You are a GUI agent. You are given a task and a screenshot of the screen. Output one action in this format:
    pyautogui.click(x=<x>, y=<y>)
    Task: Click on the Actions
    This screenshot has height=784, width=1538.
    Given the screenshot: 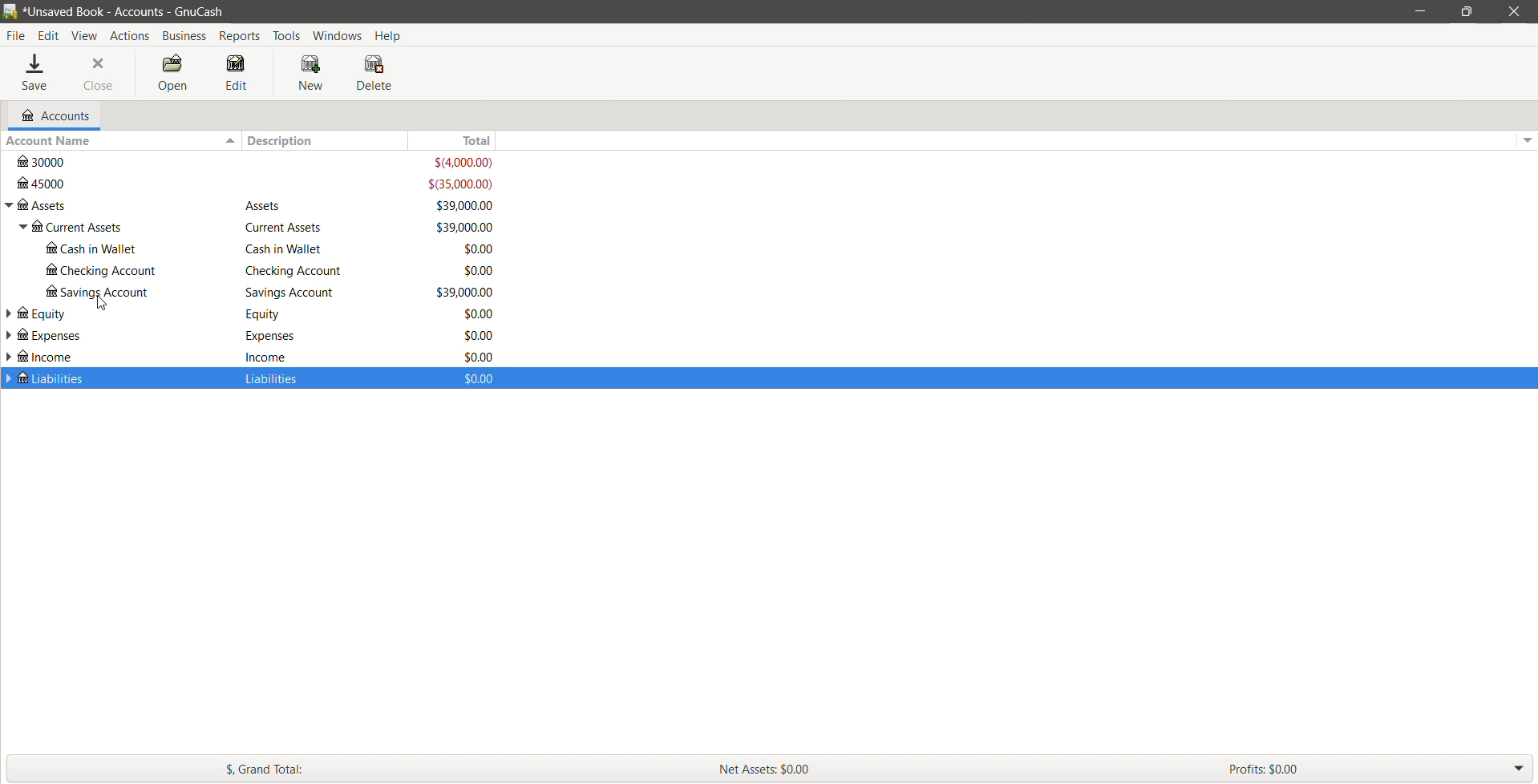 What is the action you would take?
    pyautogui.click(x=130, y=36)
    